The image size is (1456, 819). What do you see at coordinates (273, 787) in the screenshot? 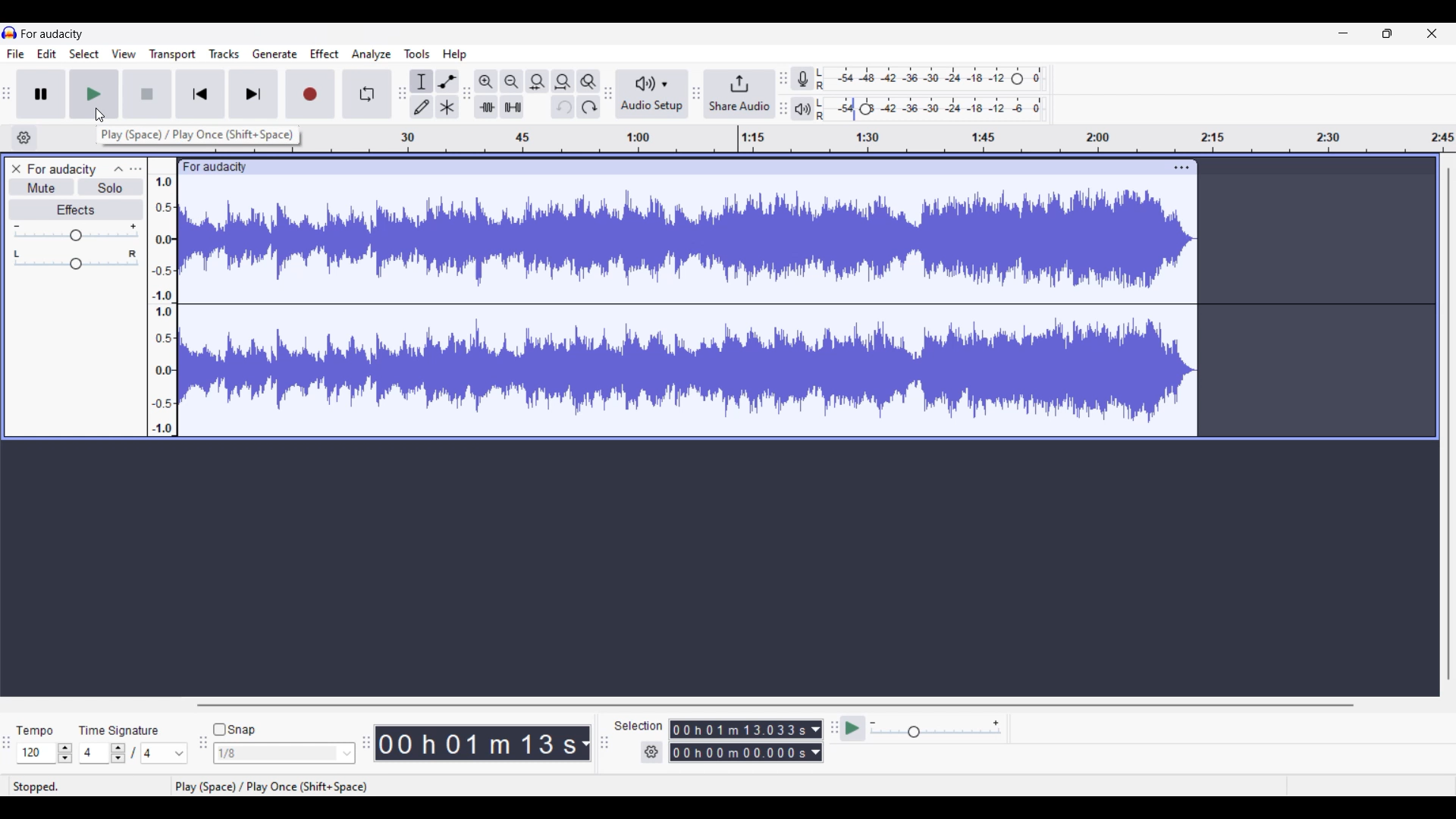
I see `play (space)/ play once (shift + space)` at bounding box center [273, 787].